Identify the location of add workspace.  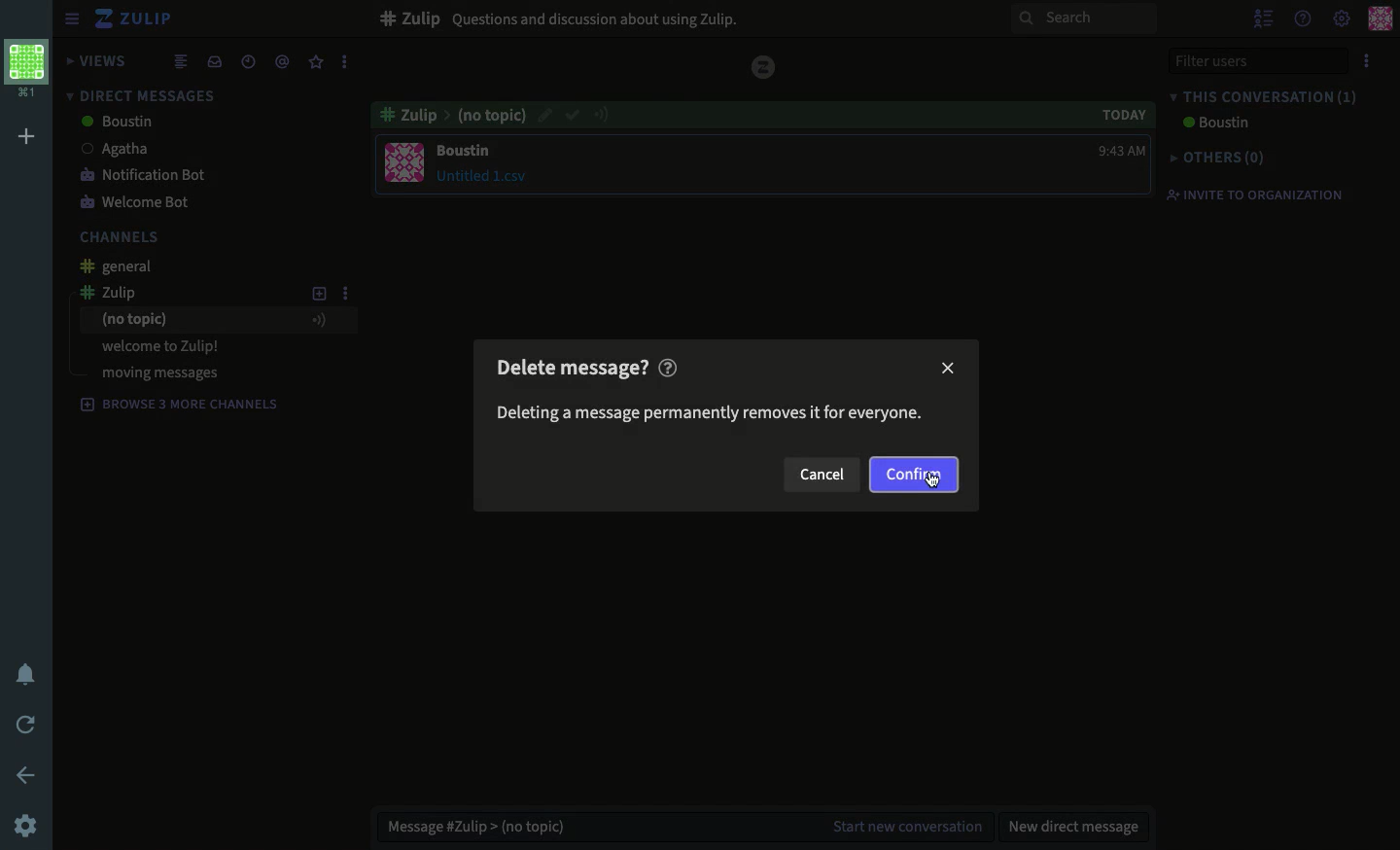
(28, 134).